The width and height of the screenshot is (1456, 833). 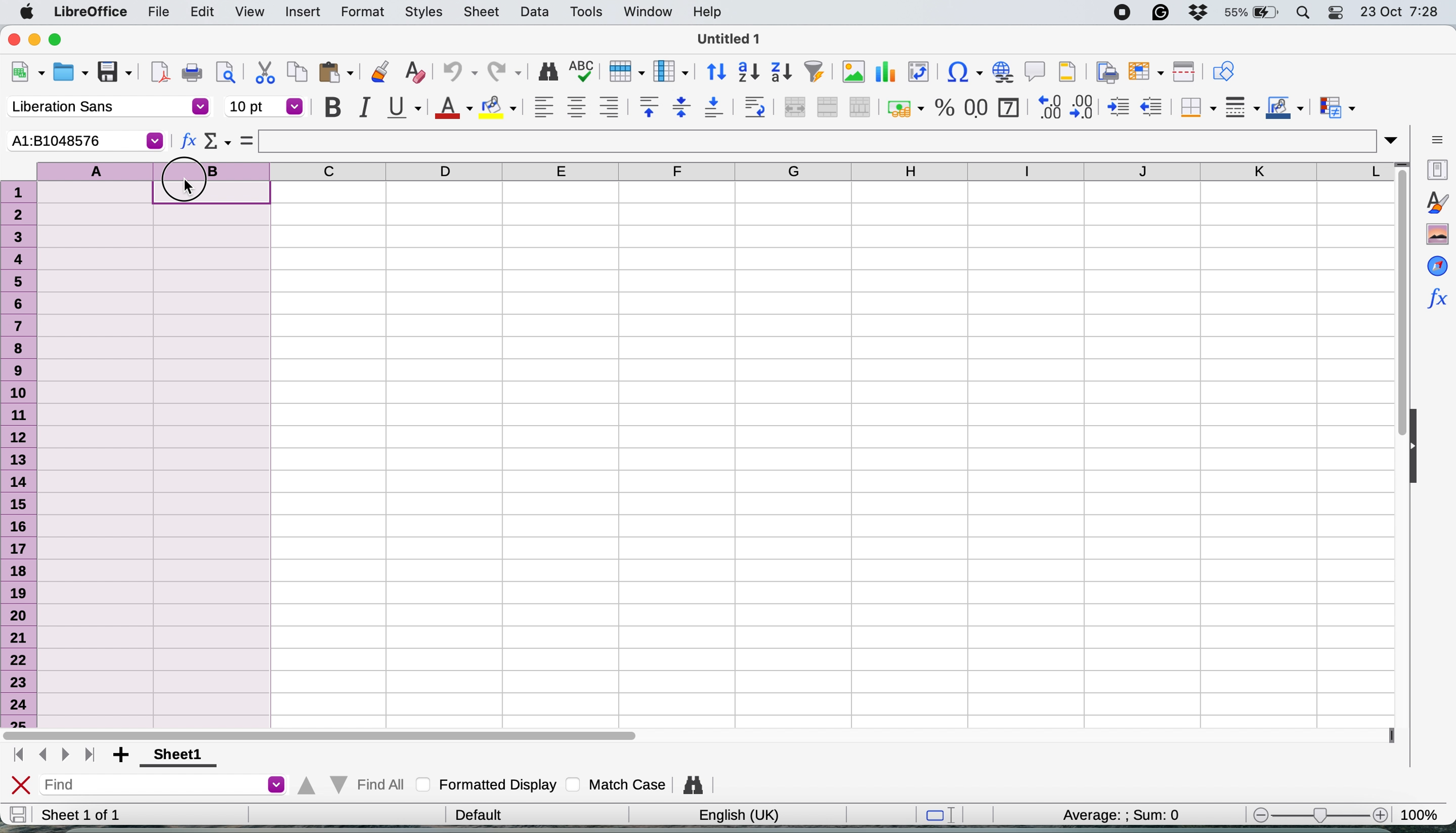 I want to click on align bottom, so click(x=719, y=108).